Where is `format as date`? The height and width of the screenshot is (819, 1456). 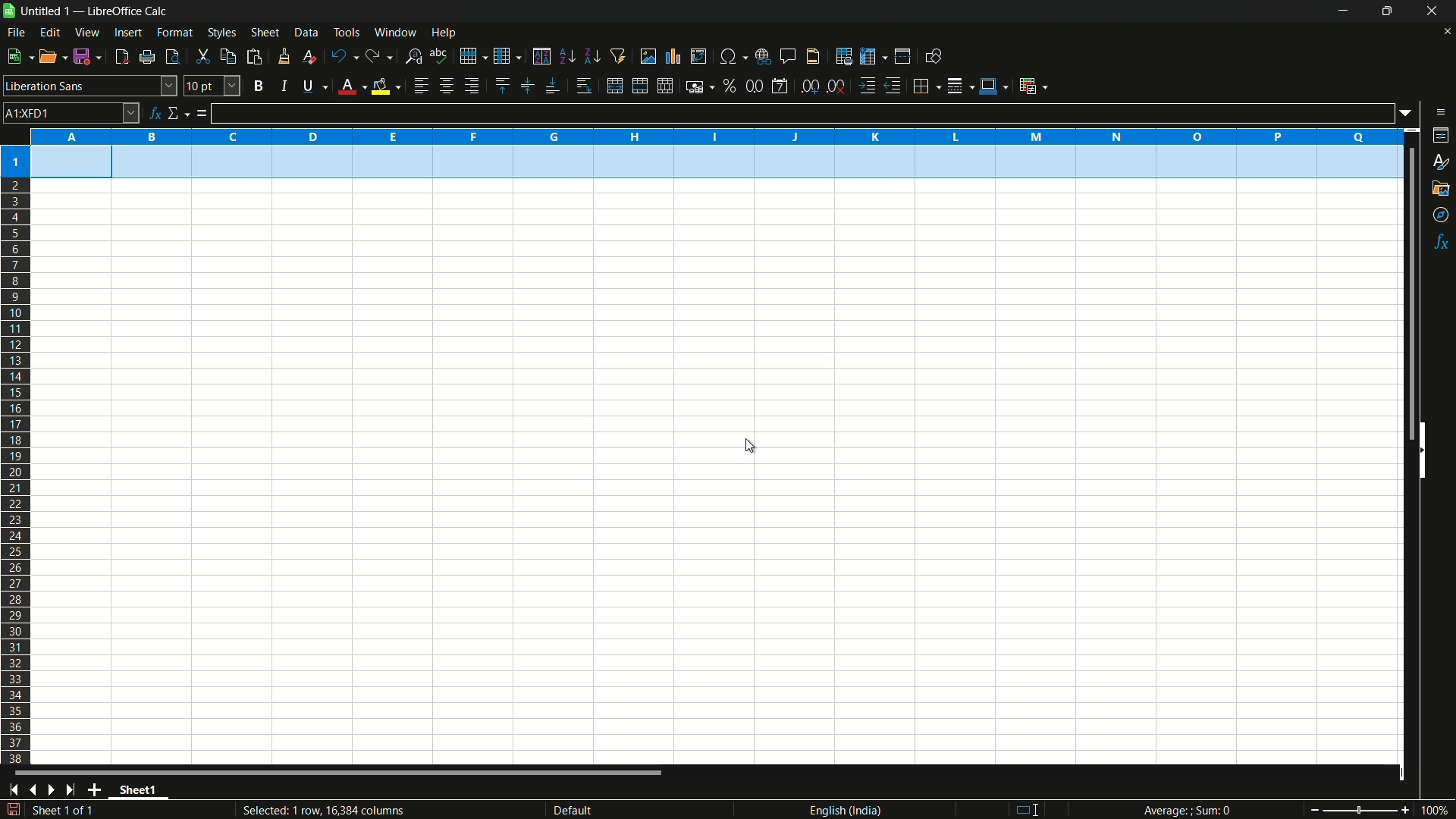
format as date is located at coordinates (780, 86).